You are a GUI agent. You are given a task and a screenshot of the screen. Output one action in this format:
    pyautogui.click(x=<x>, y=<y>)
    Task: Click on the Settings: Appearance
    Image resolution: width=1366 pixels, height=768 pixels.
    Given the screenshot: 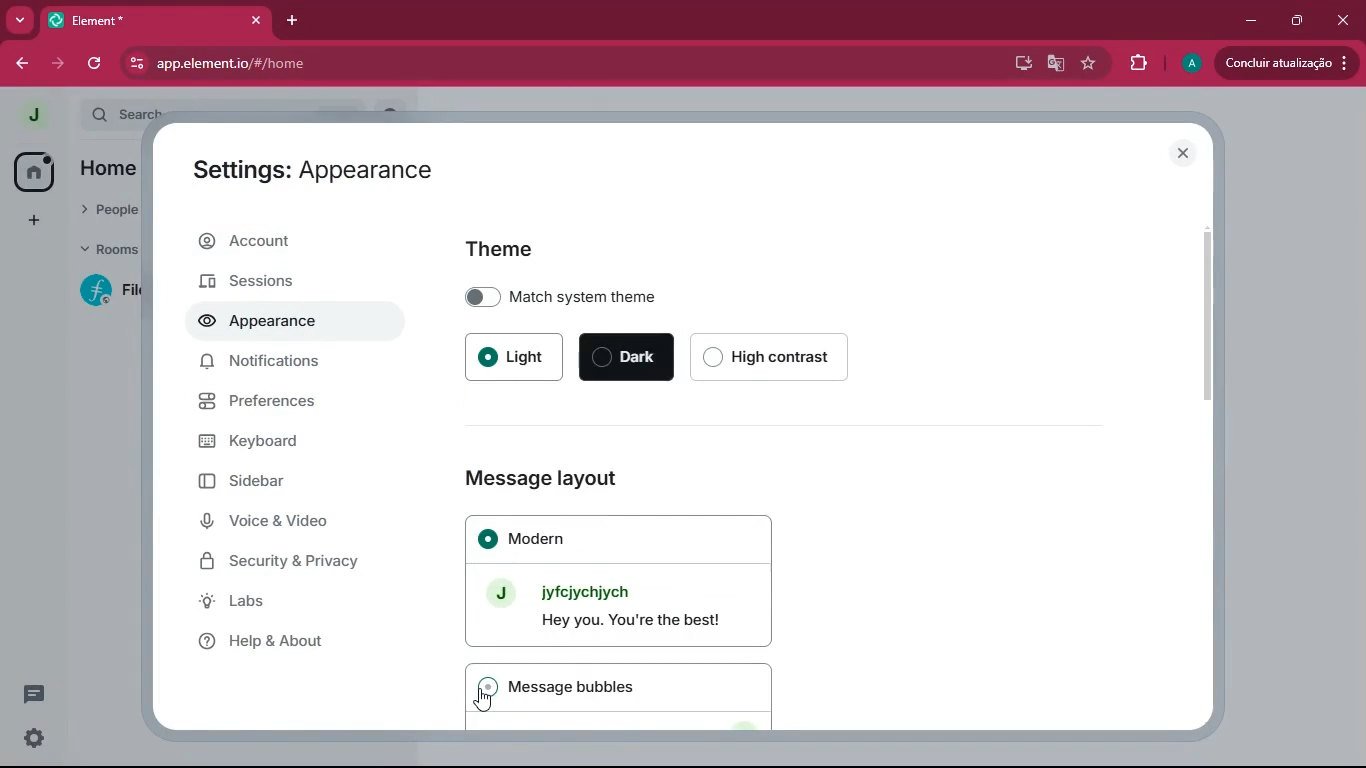 What is the action you would take?
    pyautogui.click(x=310, y=171)
    